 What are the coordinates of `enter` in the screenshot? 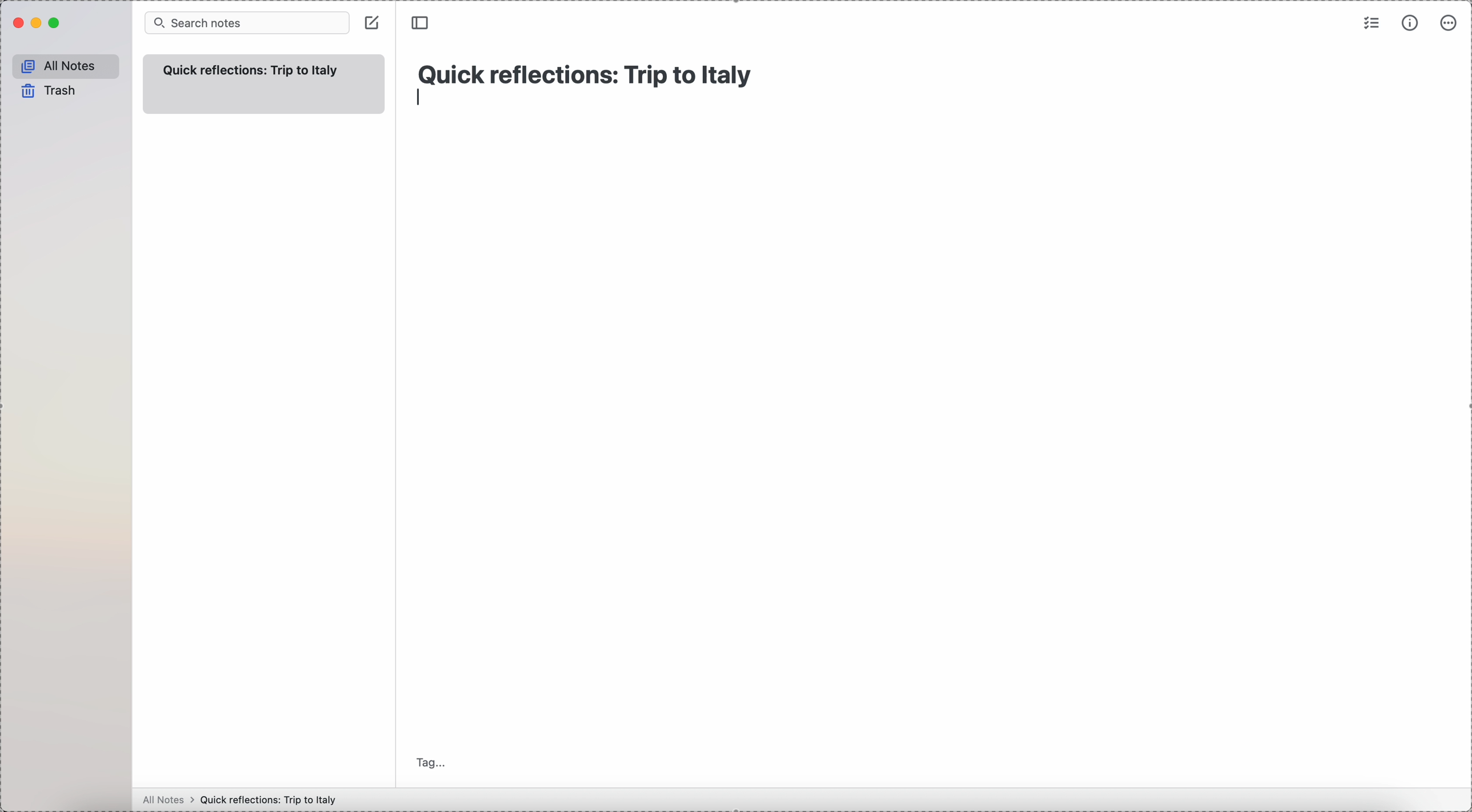 It's located at (422, 98).